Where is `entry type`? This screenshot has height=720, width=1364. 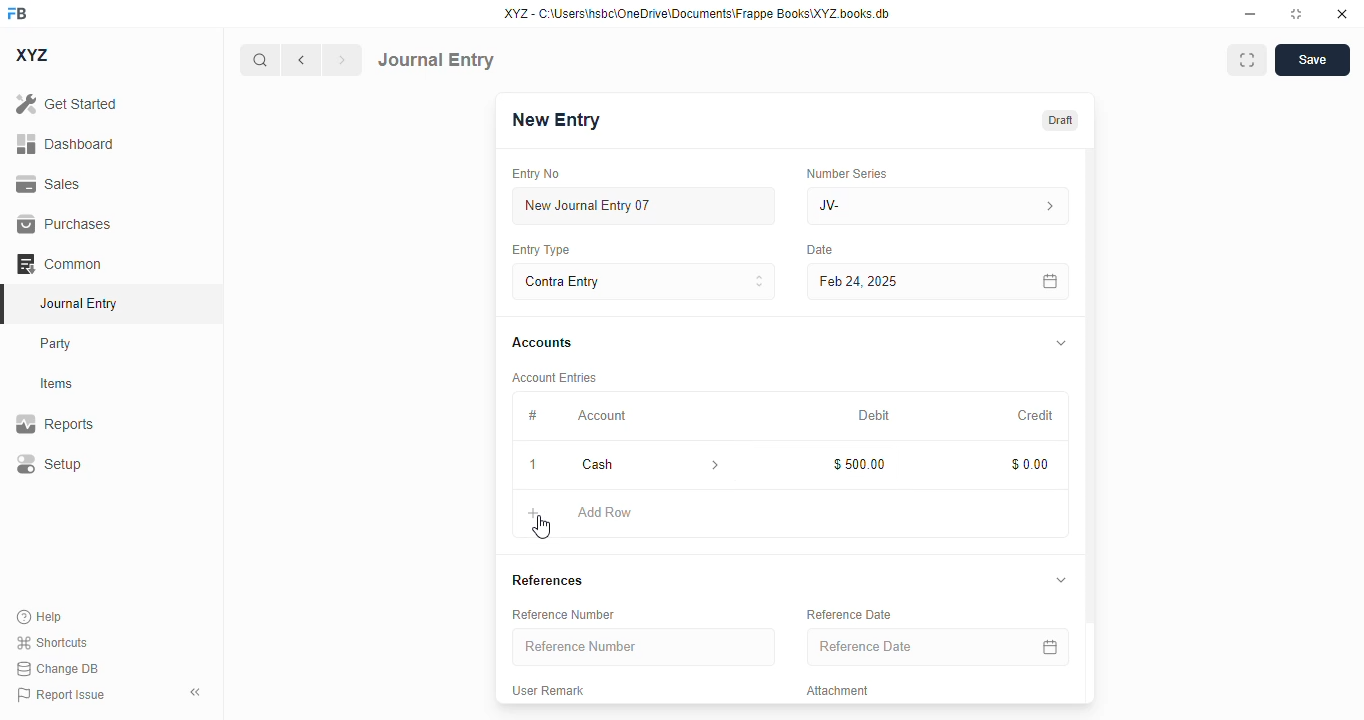
entry type is located at coordinates (542, 250).